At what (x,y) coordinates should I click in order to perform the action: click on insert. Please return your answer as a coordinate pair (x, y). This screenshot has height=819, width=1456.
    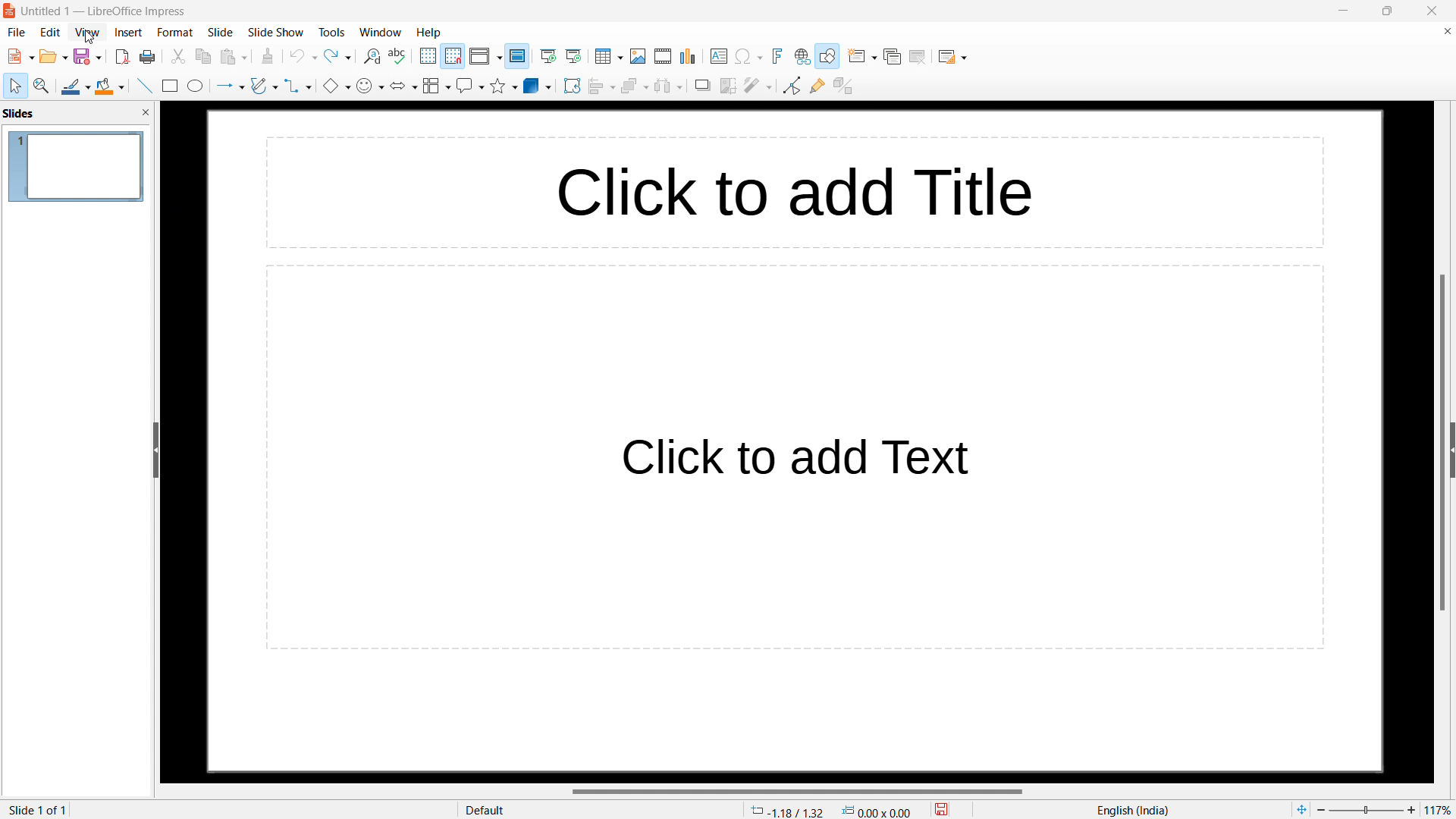
    Looking at the image, I should click on (129, 32).